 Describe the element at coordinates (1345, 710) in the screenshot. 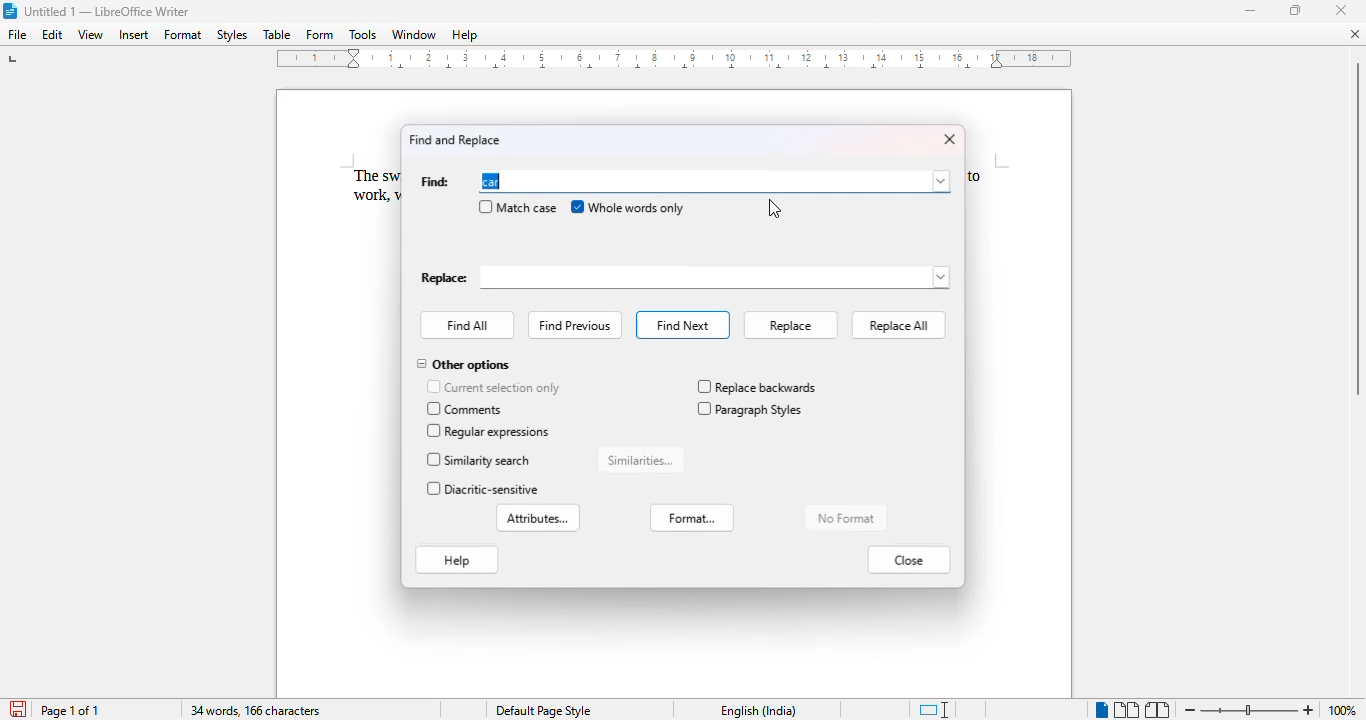

I see `100% (current zoom level)` at that location.